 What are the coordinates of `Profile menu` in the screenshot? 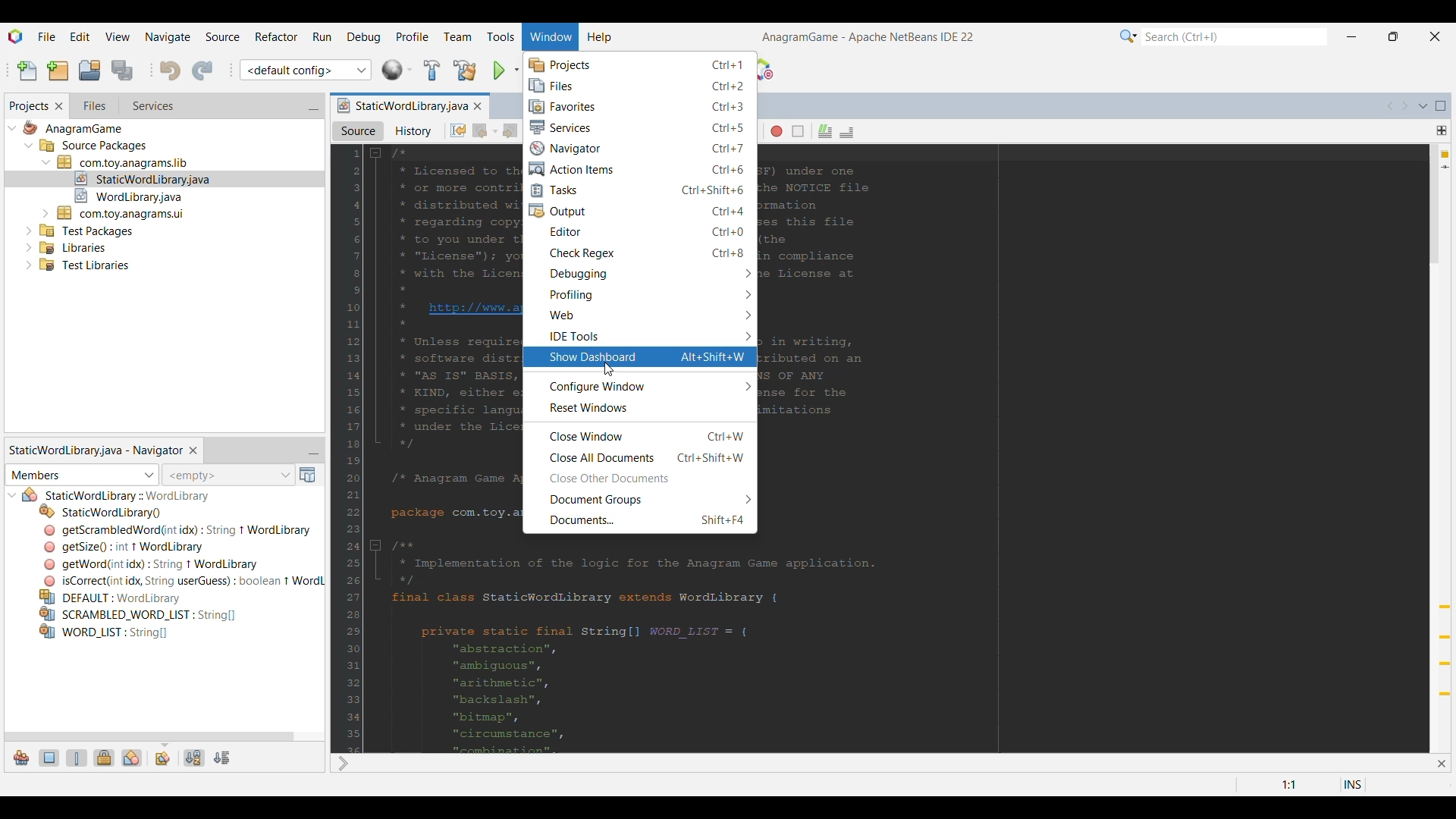 It's located at (413, 36).